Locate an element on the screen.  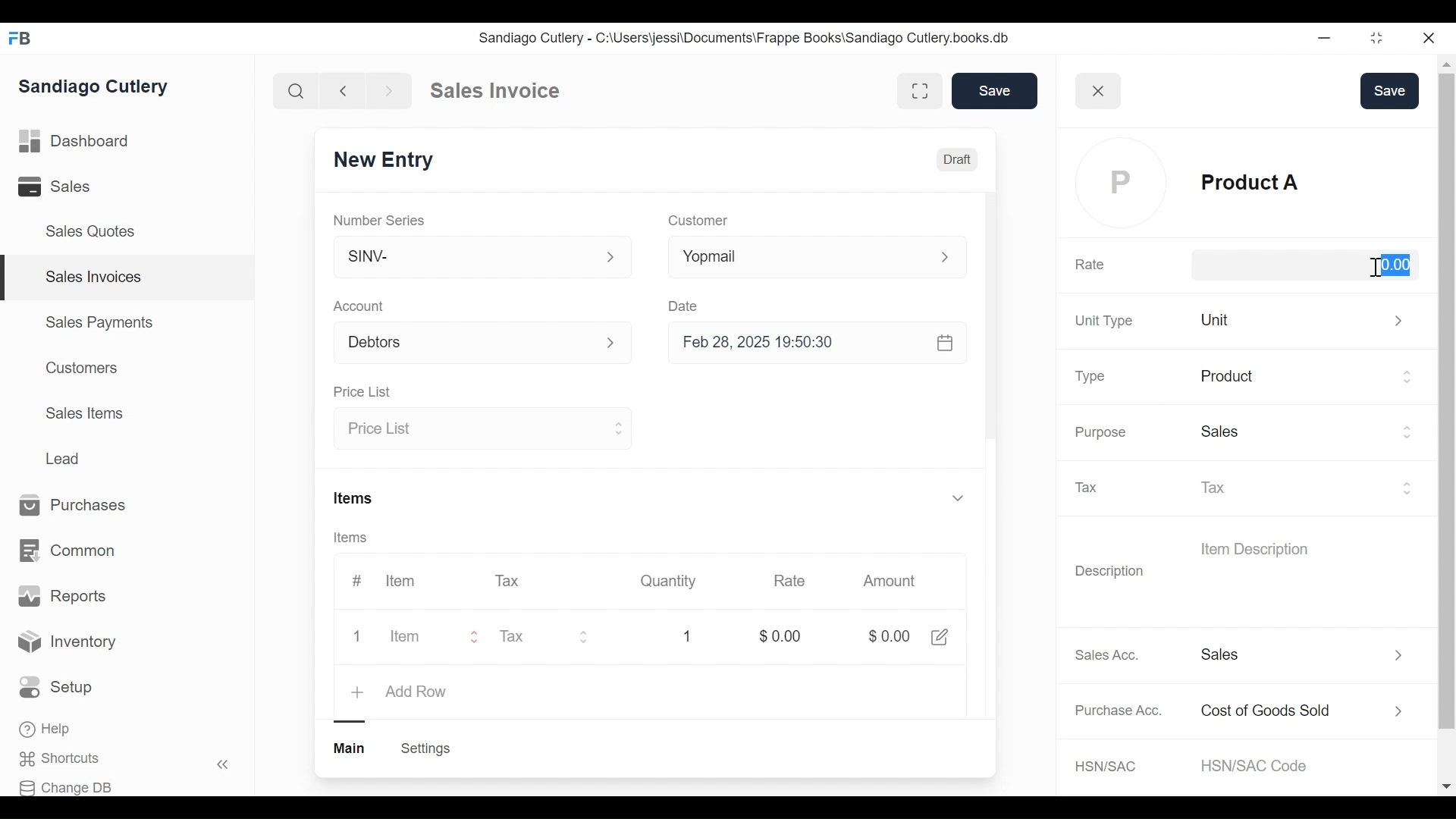
Reports is located at coordinates (62, 596).